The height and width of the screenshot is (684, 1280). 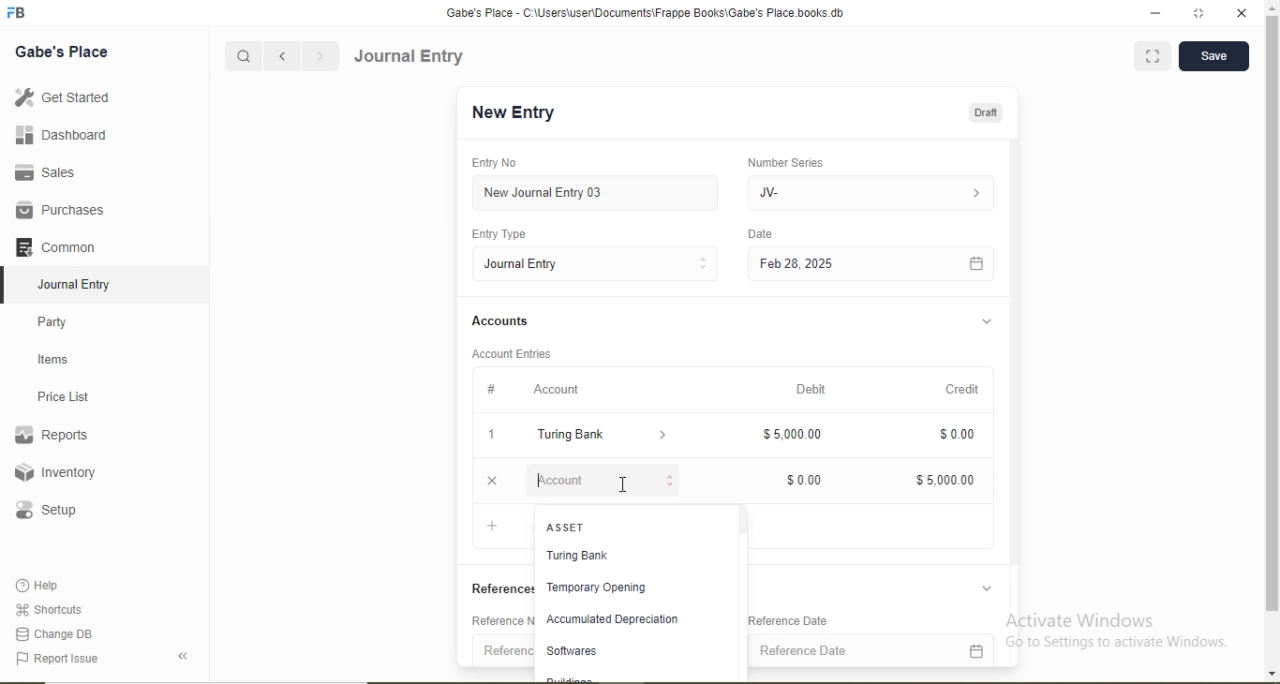 What do you see at coordinates (580, 555) in the screenshot?
I see `Turing Bank` at bounding box center [580, 555].